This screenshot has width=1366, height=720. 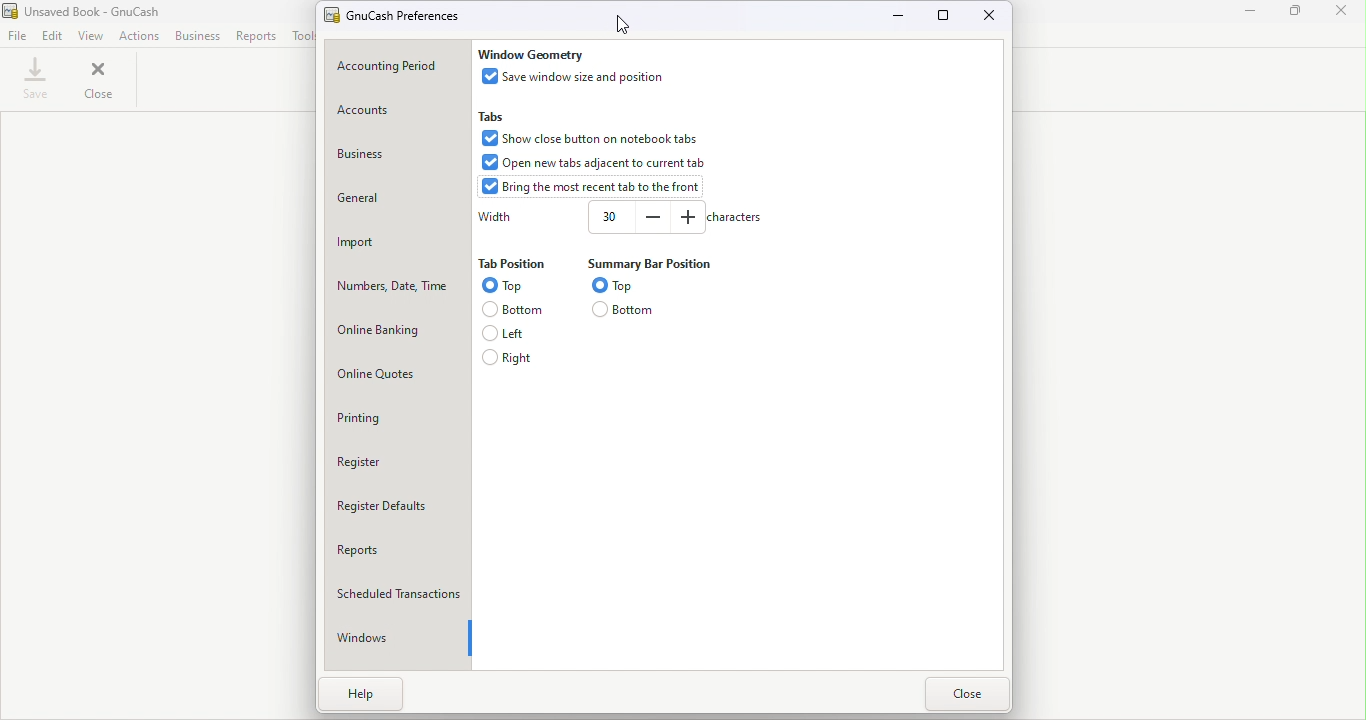 I want to click on decrease, so click(x=653, y=216).